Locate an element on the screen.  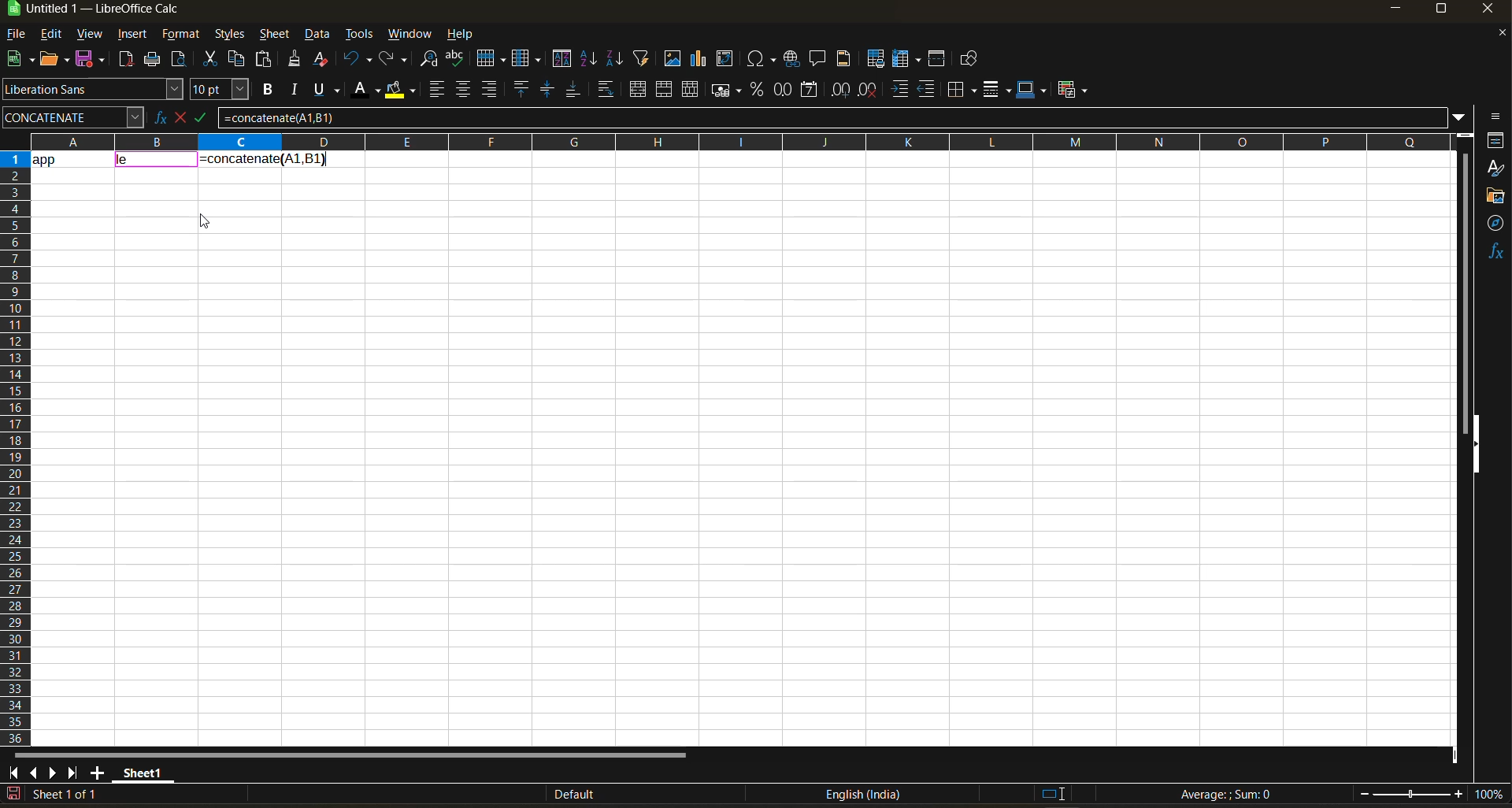
sort descending is located at coordinates (613, 58).